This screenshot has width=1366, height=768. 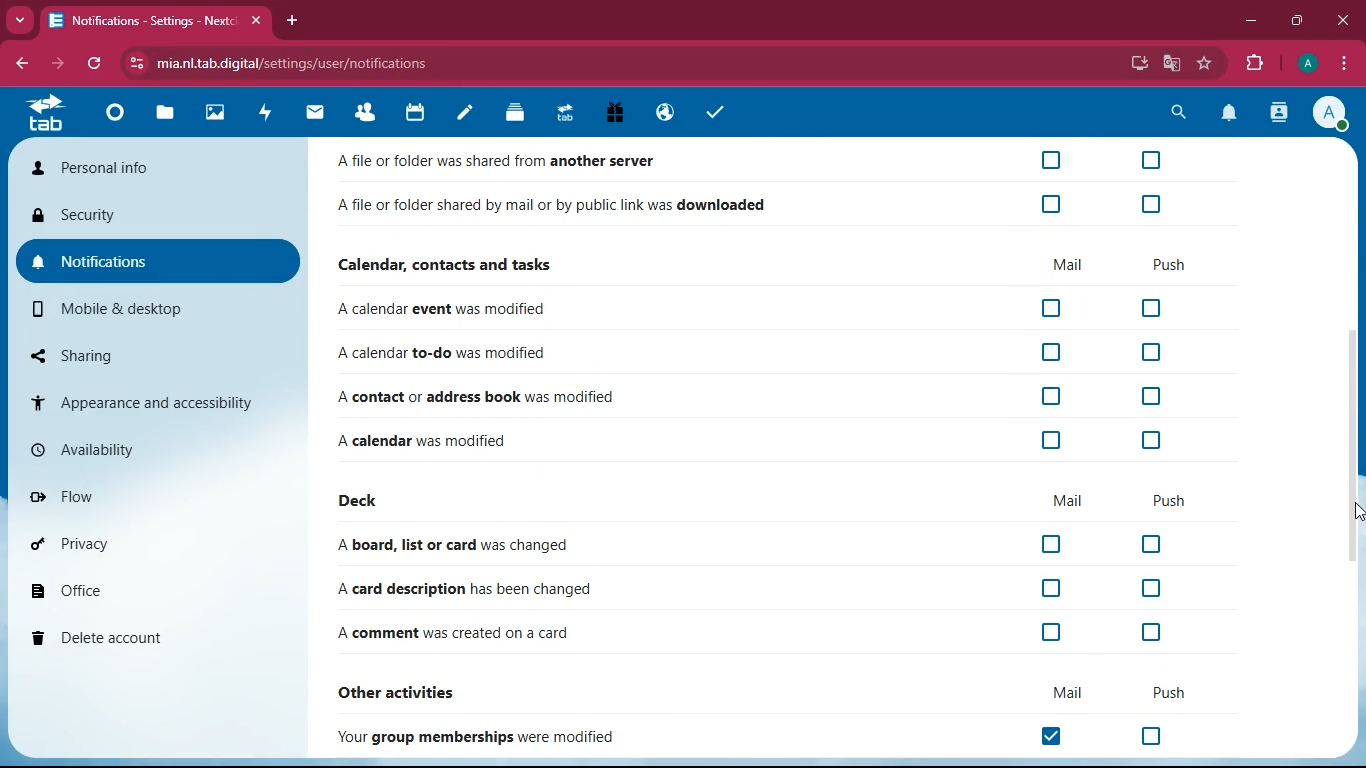 What do you see at coordinates (484, 737) in the screenshot?
I see `Your group memberships were modified` at bounding box center [484, 737].